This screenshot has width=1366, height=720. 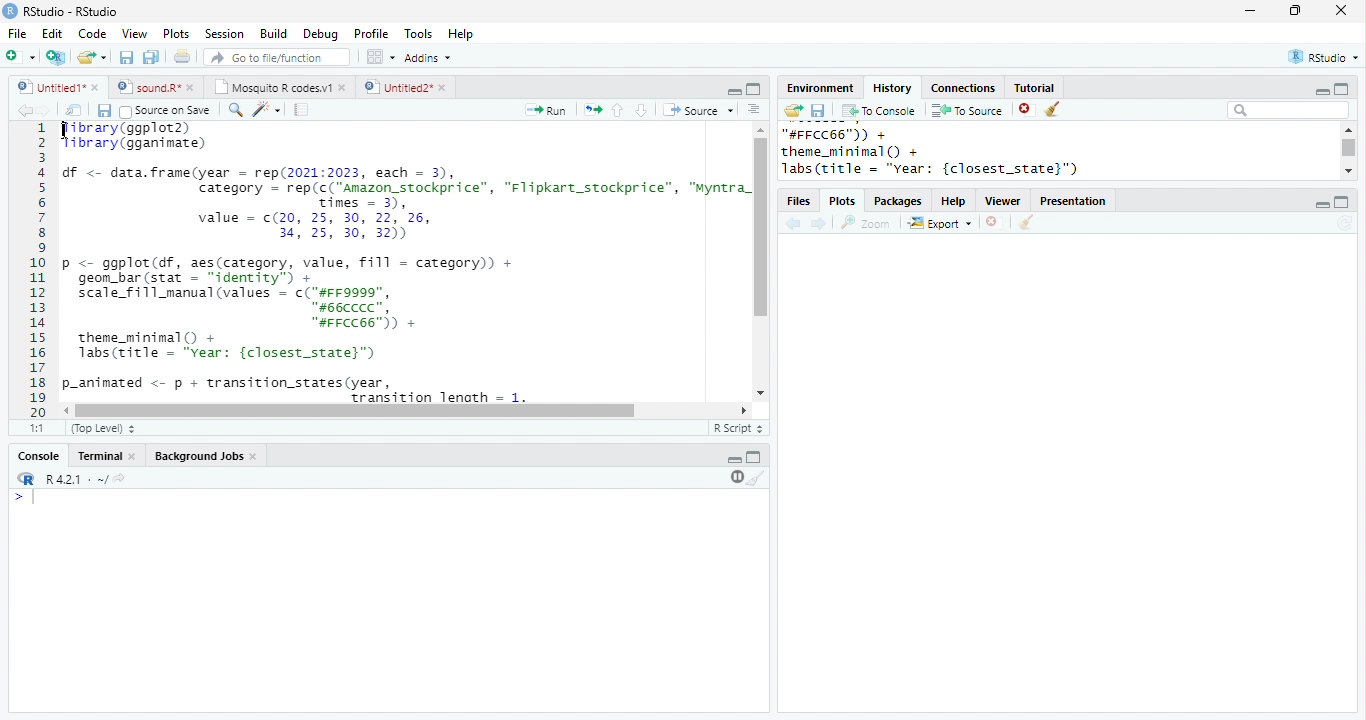 What do you see at coordinates (104, 110) in the screenshot?
I see `save` at bounding box center [104, 110].